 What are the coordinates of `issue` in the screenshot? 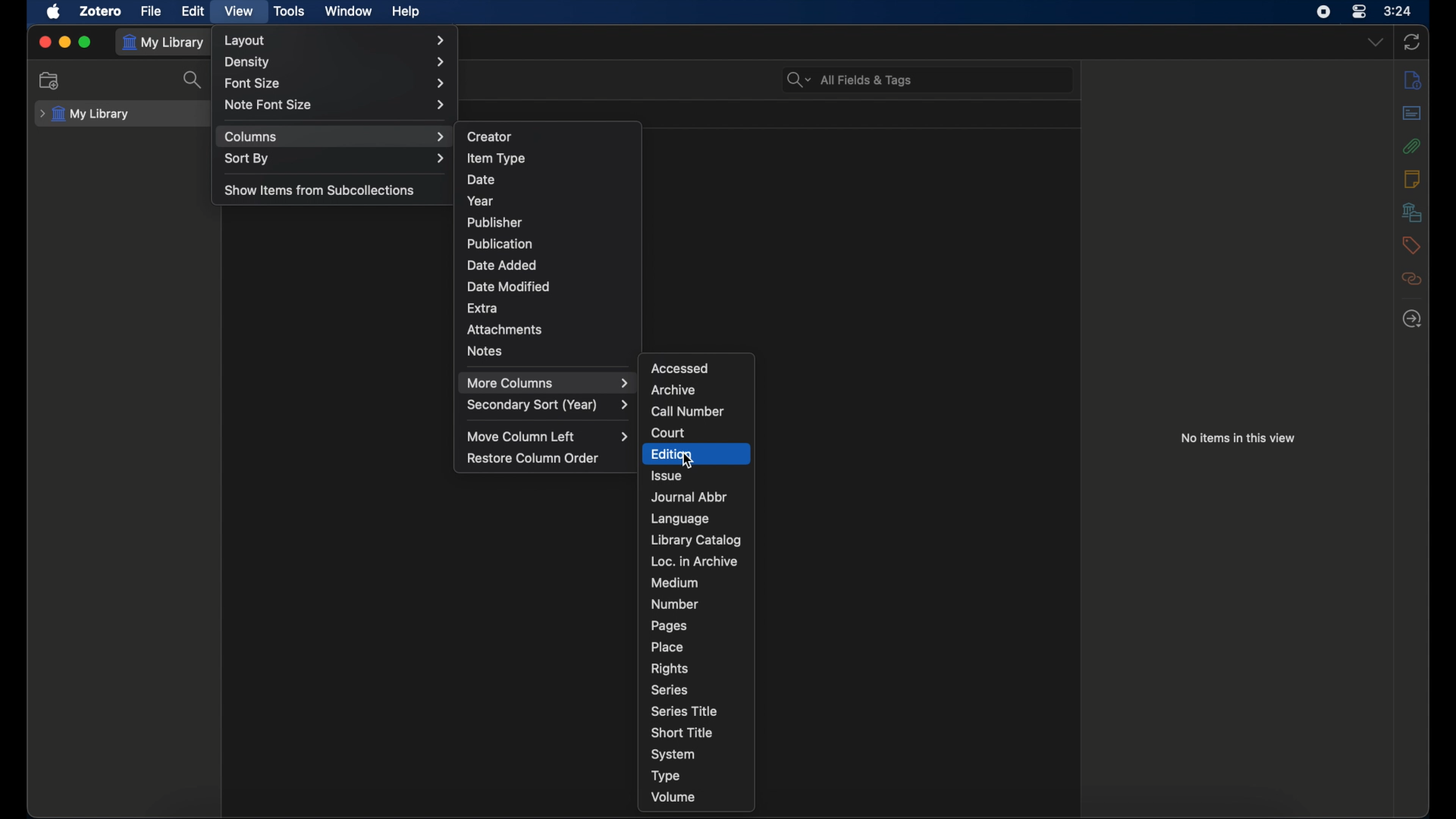 It's located at (667, 475).